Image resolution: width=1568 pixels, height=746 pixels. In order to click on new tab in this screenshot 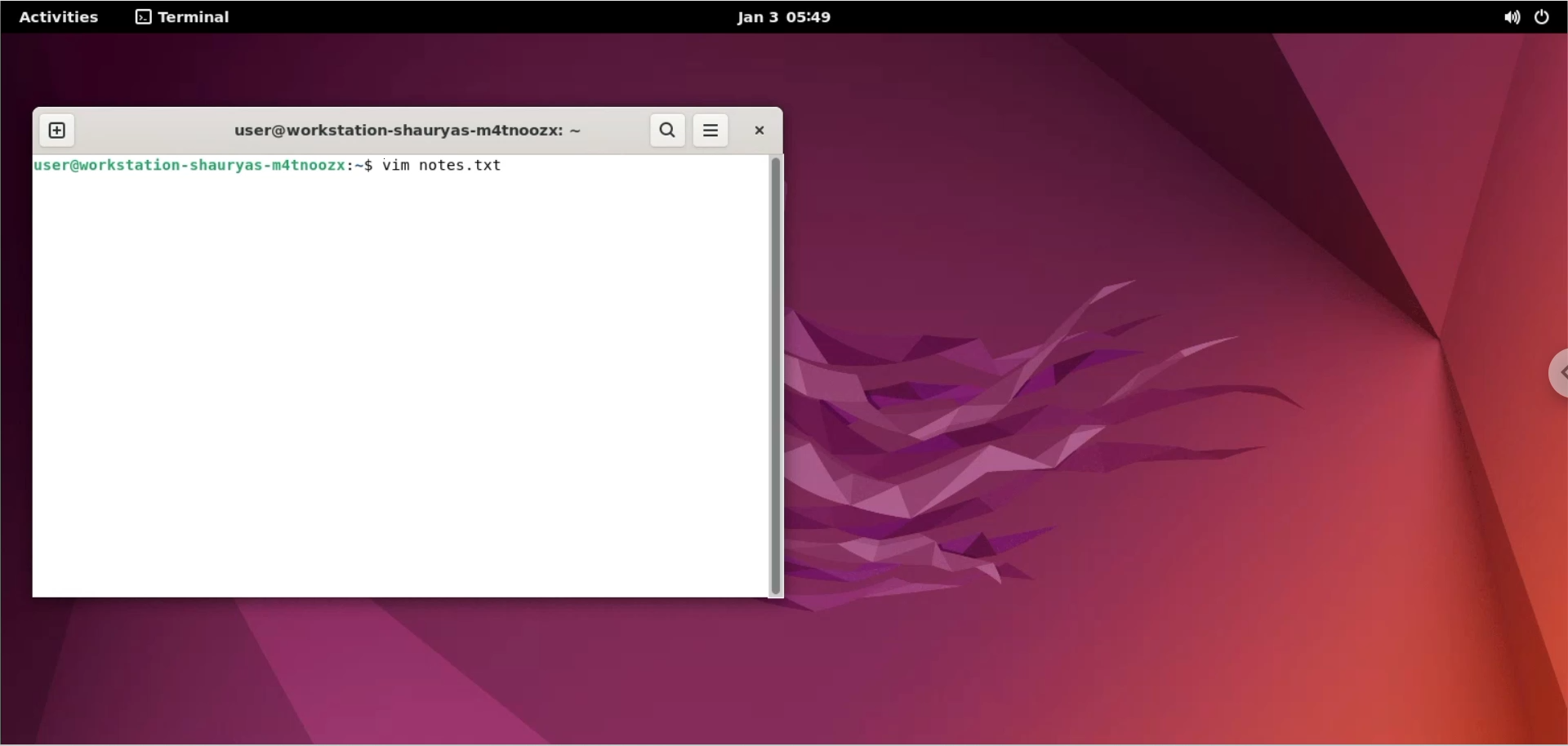, I will do `click(58, 131)`.